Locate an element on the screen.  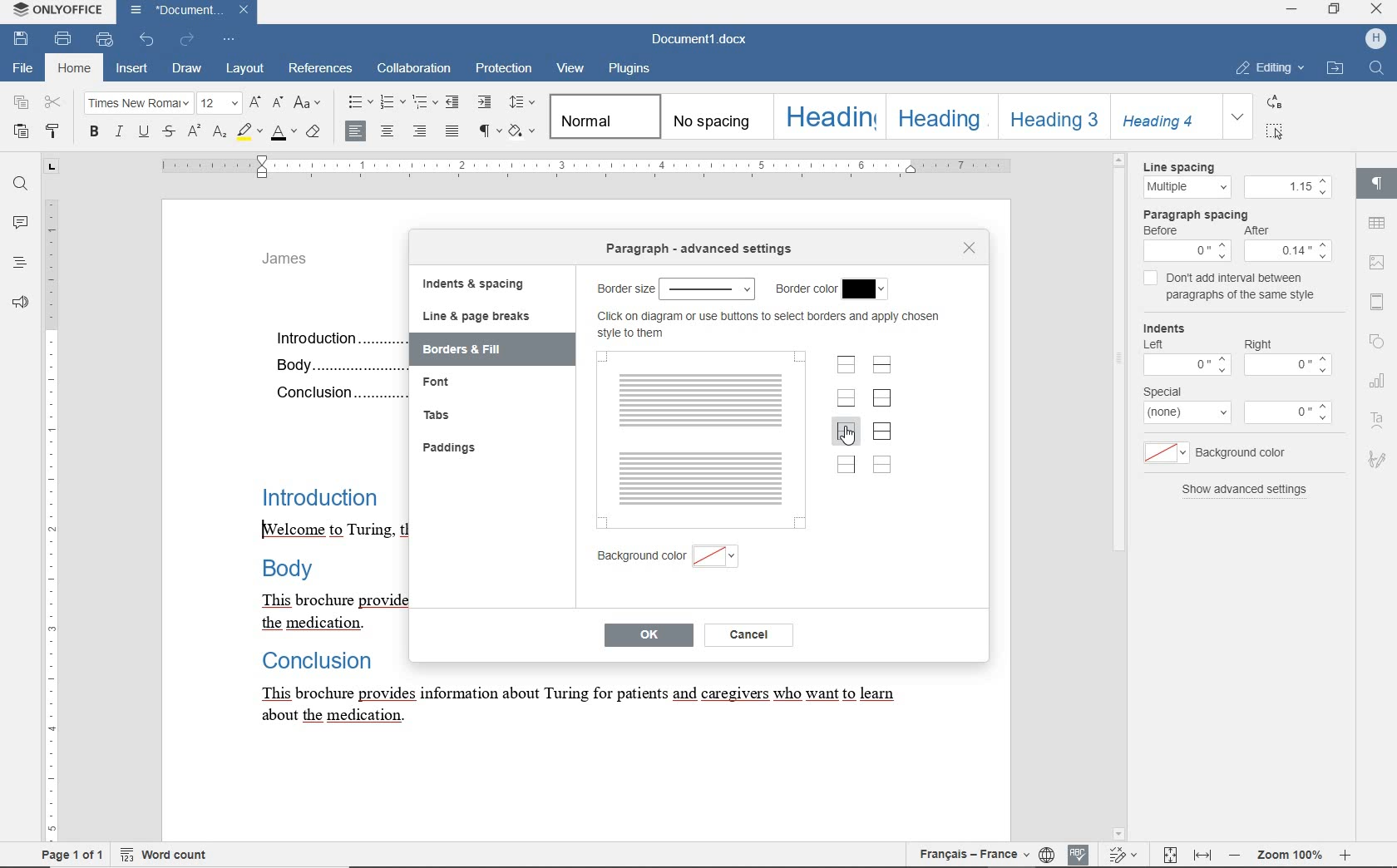
font size is located at coordinates (220, 104).